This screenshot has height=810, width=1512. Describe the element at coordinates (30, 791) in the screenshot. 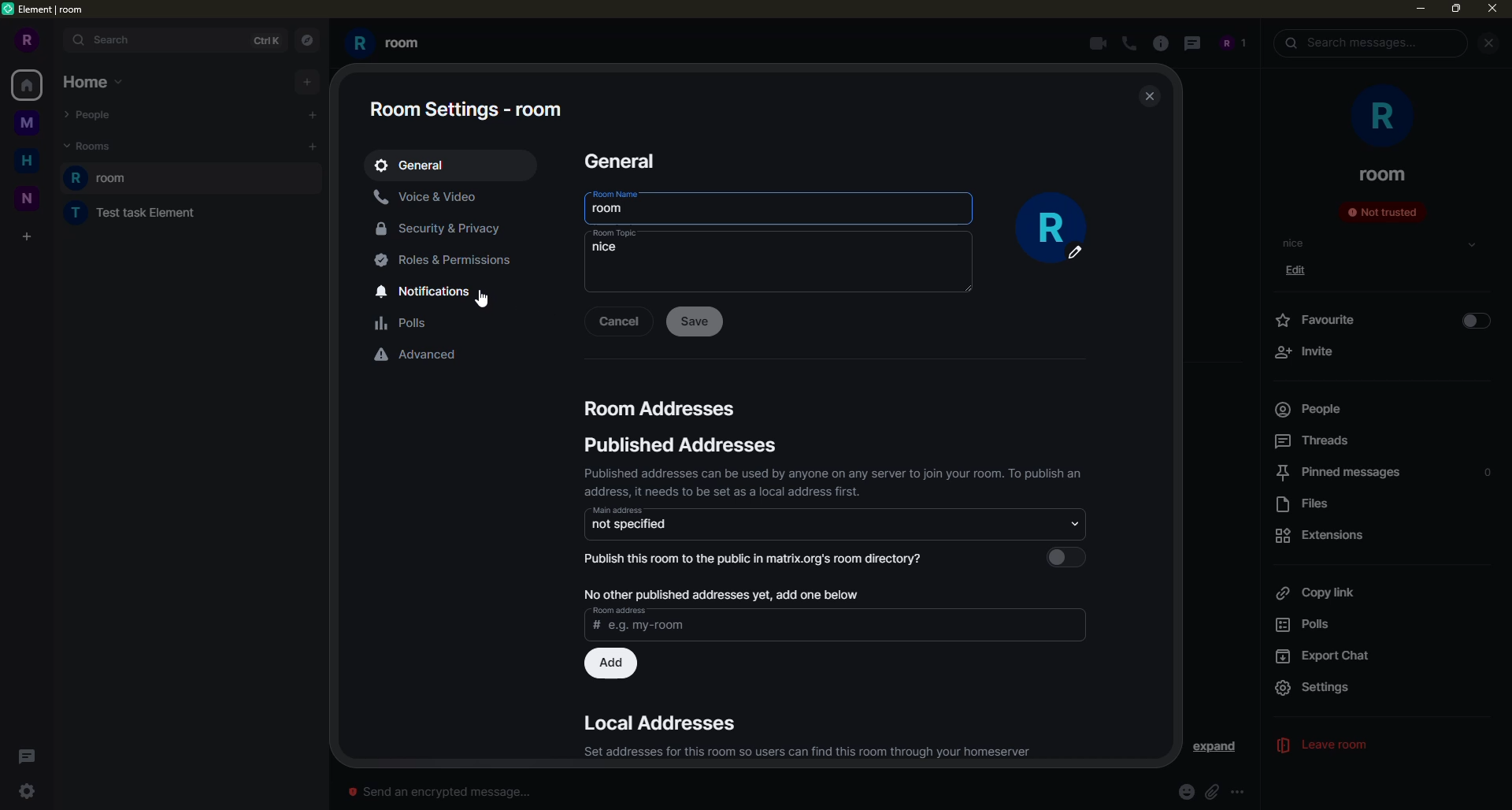

I see `settings` at that location.